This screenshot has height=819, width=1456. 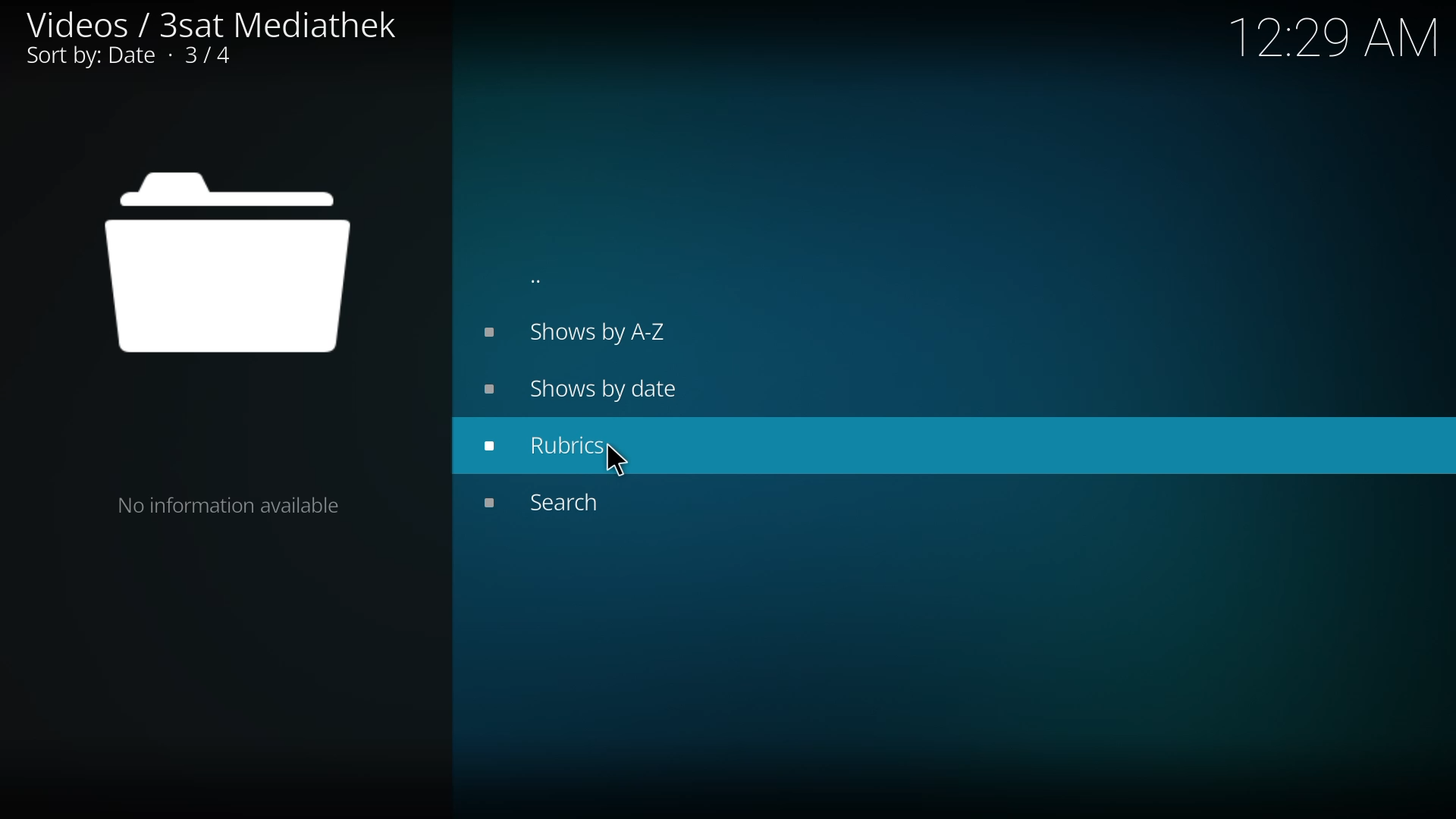 What do you see at coordinates (588, 388) in the screenshot?
I see `shows by date` at bounding box center [588, 388].